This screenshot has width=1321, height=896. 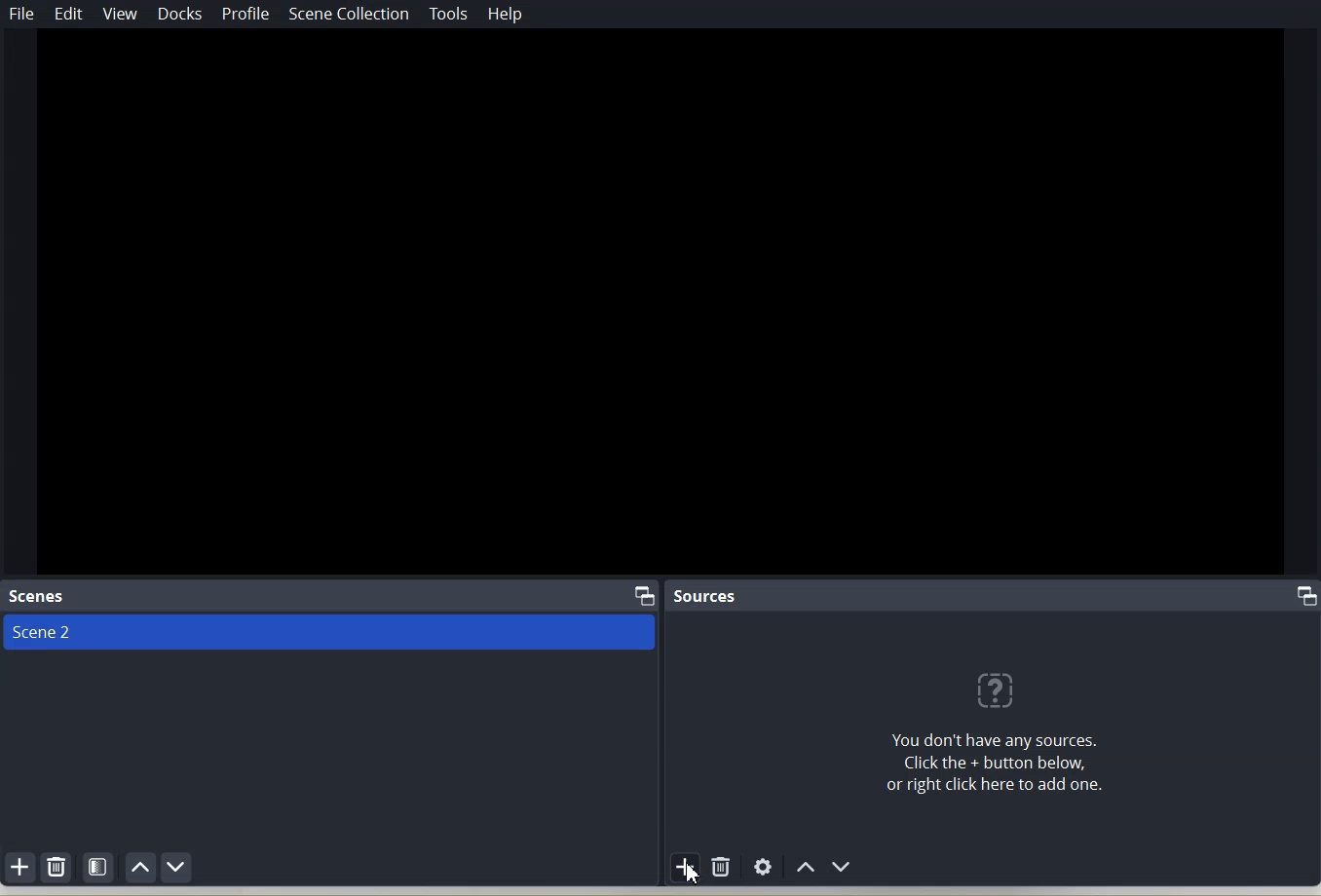 What do you see at coordinates (843, 867) in the screenshot?
I see `Move source down` at bounding box center [843, 867].